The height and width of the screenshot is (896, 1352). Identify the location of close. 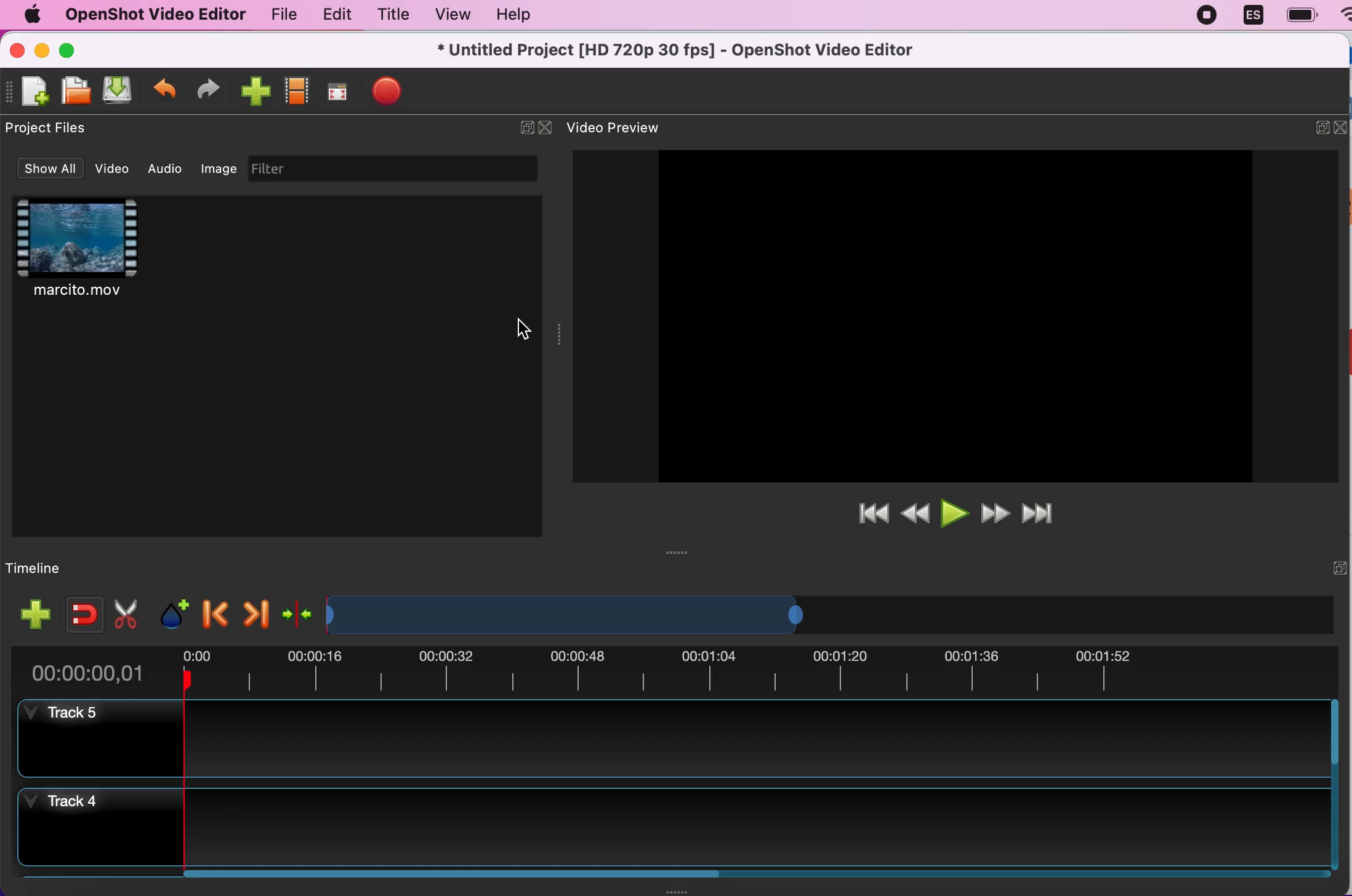
(545, 126).